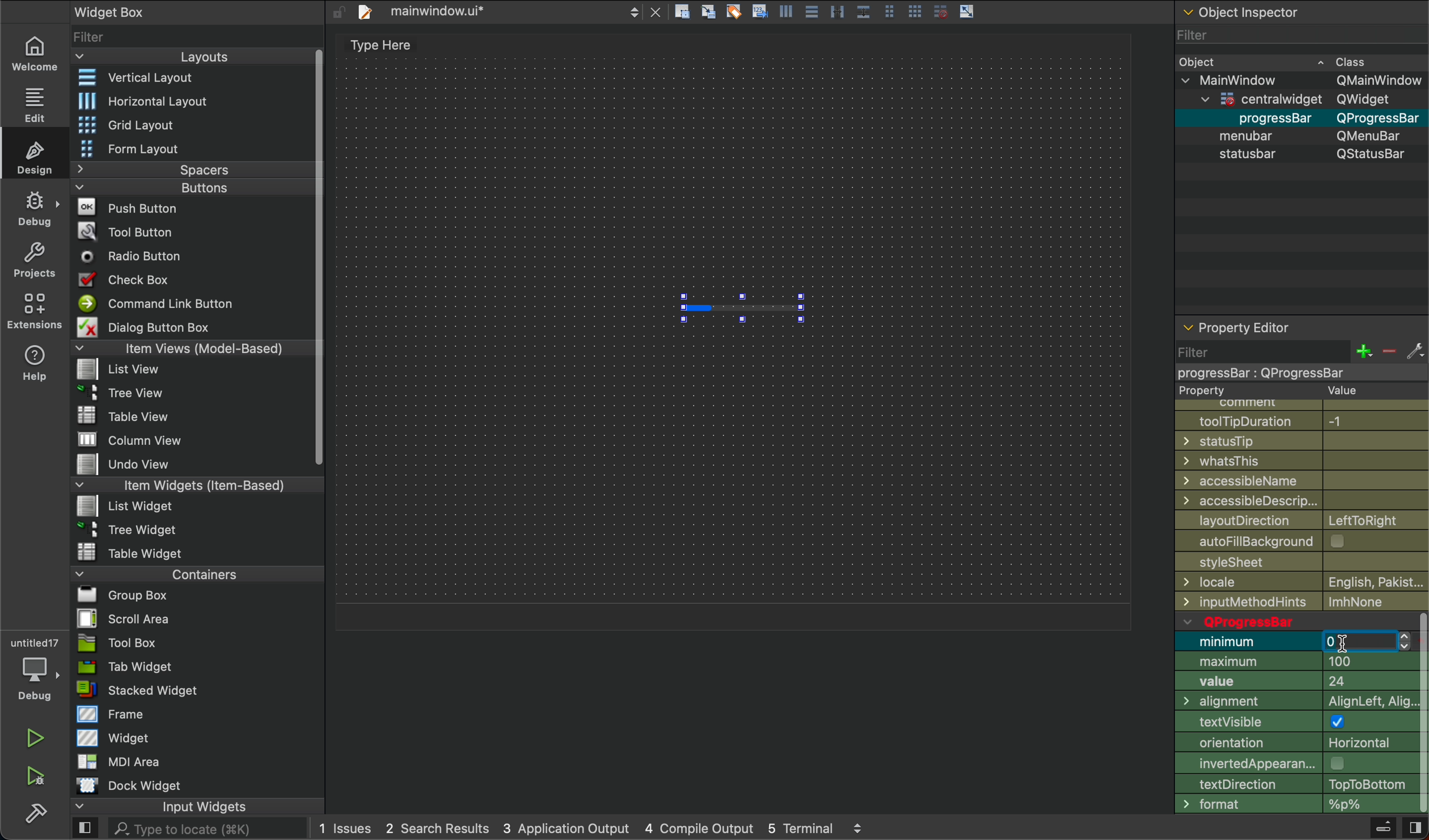 This screenshot has height=840, width=1429. I want to click on Container, so click(168, 573).